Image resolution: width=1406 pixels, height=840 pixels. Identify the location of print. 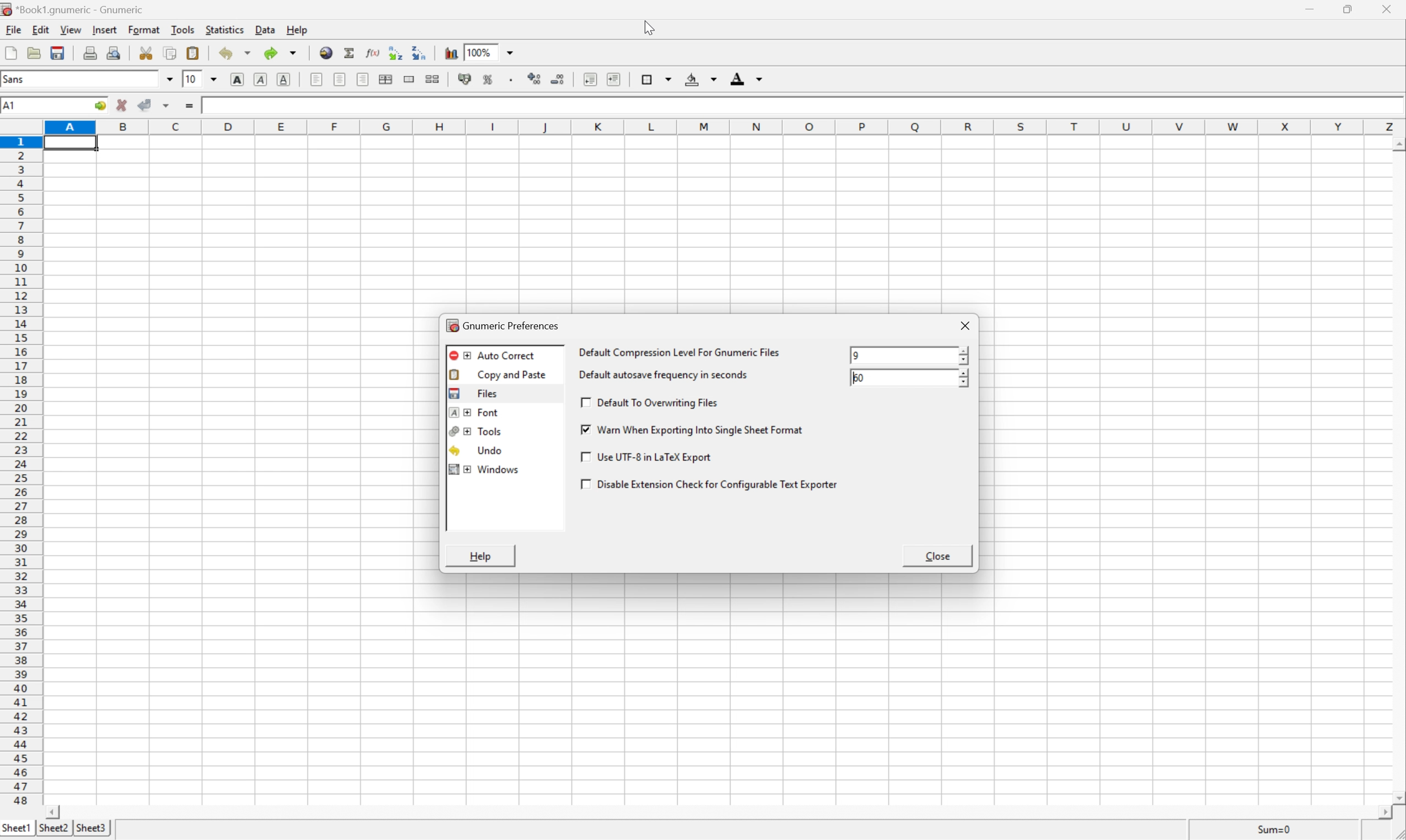
(91, 51).